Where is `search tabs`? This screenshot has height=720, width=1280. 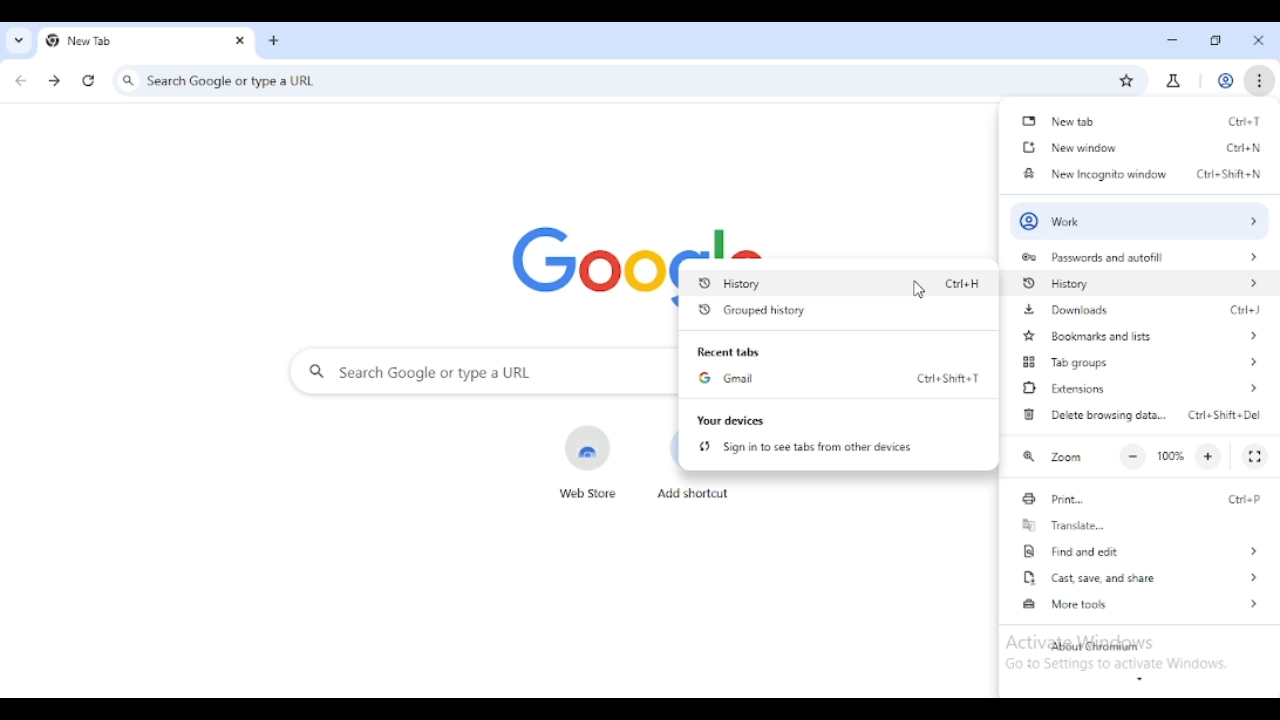
search tabs is located at coordinates (18, 41).